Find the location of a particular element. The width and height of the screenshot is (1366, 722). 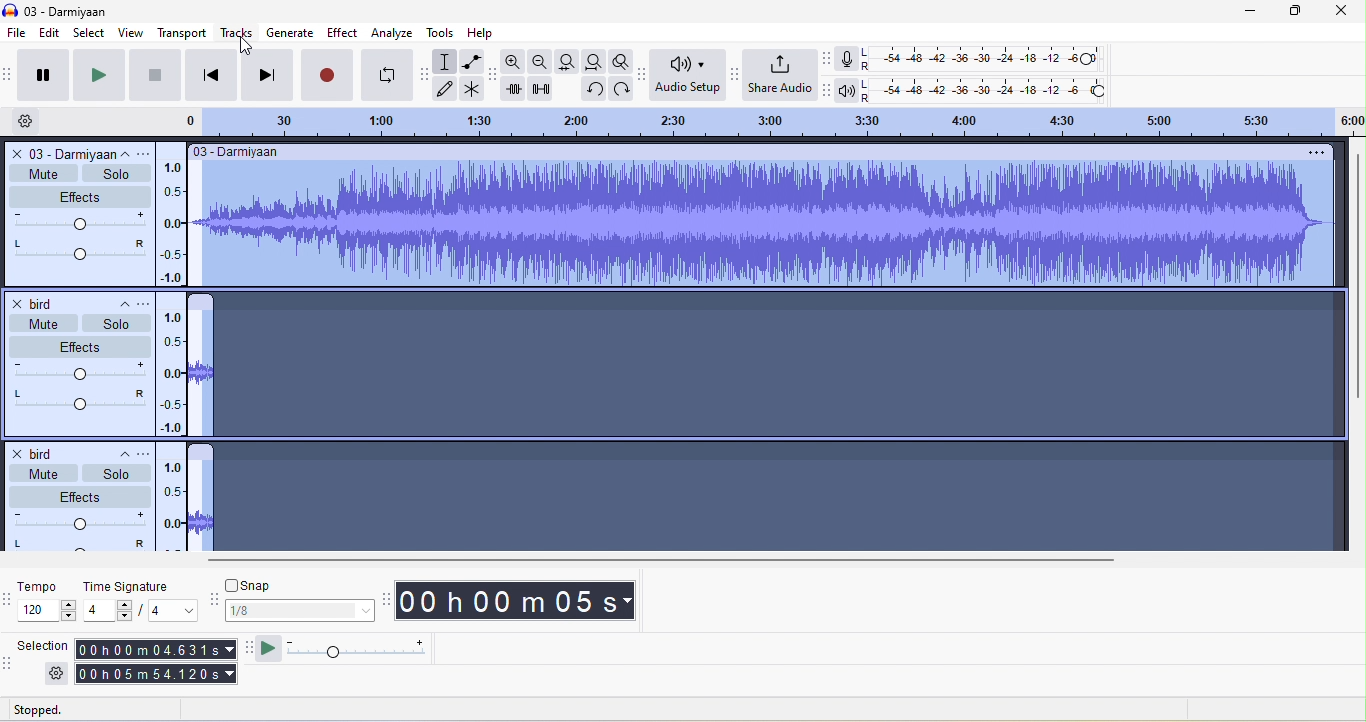

help is located at coordinates (486, 31).